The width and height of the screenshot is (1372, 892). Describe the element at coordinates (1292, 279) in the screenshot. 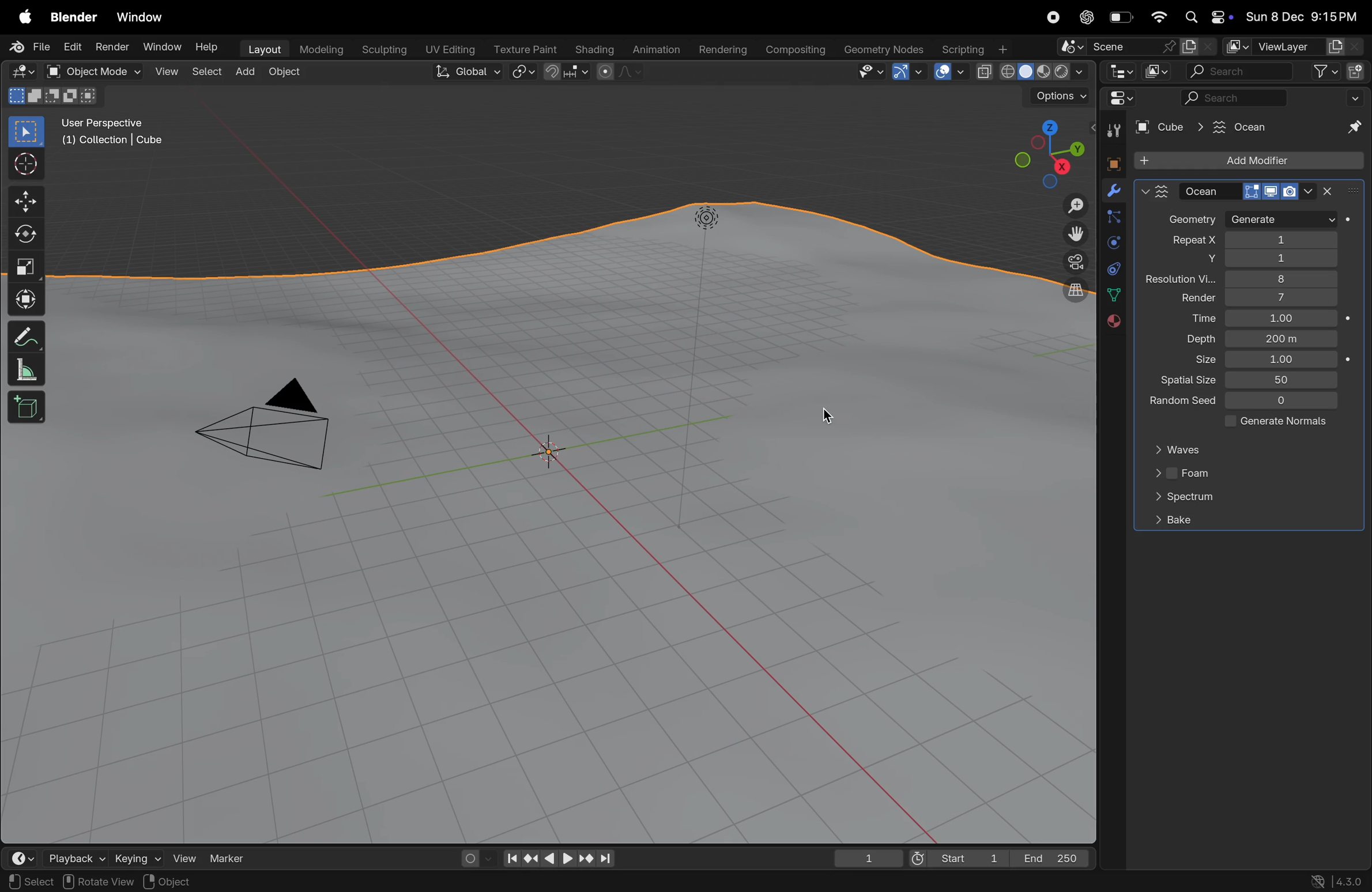

I see `8` at that location.